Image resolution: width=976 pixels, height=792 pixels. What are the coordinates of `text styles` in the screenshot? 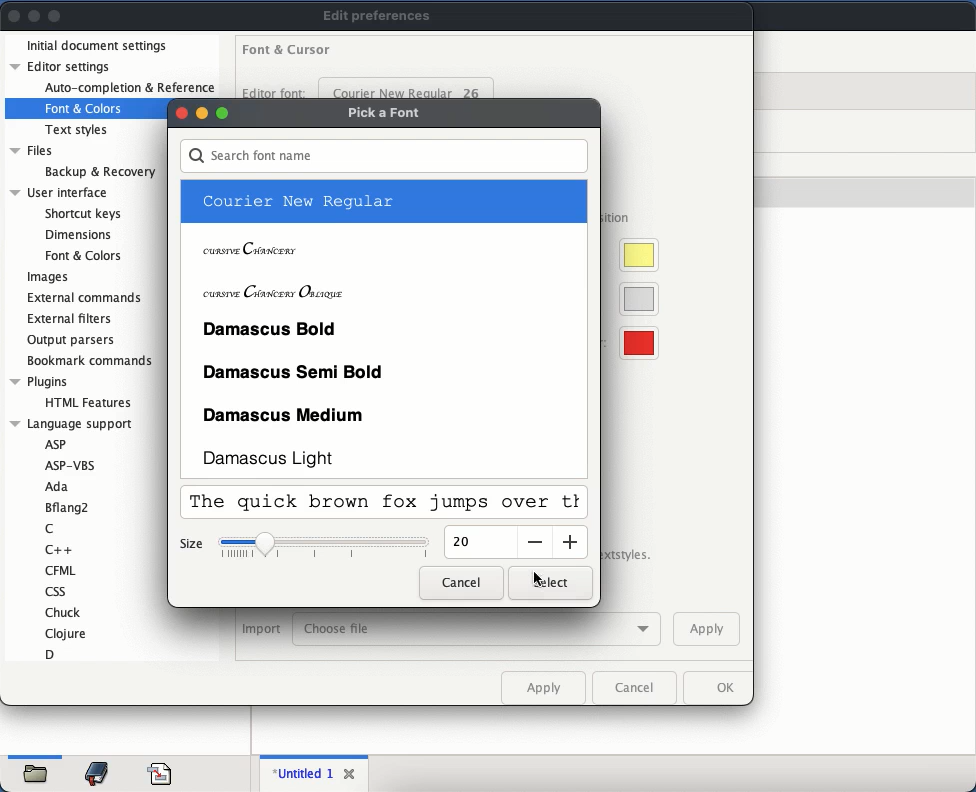 It's located at (79, 129).